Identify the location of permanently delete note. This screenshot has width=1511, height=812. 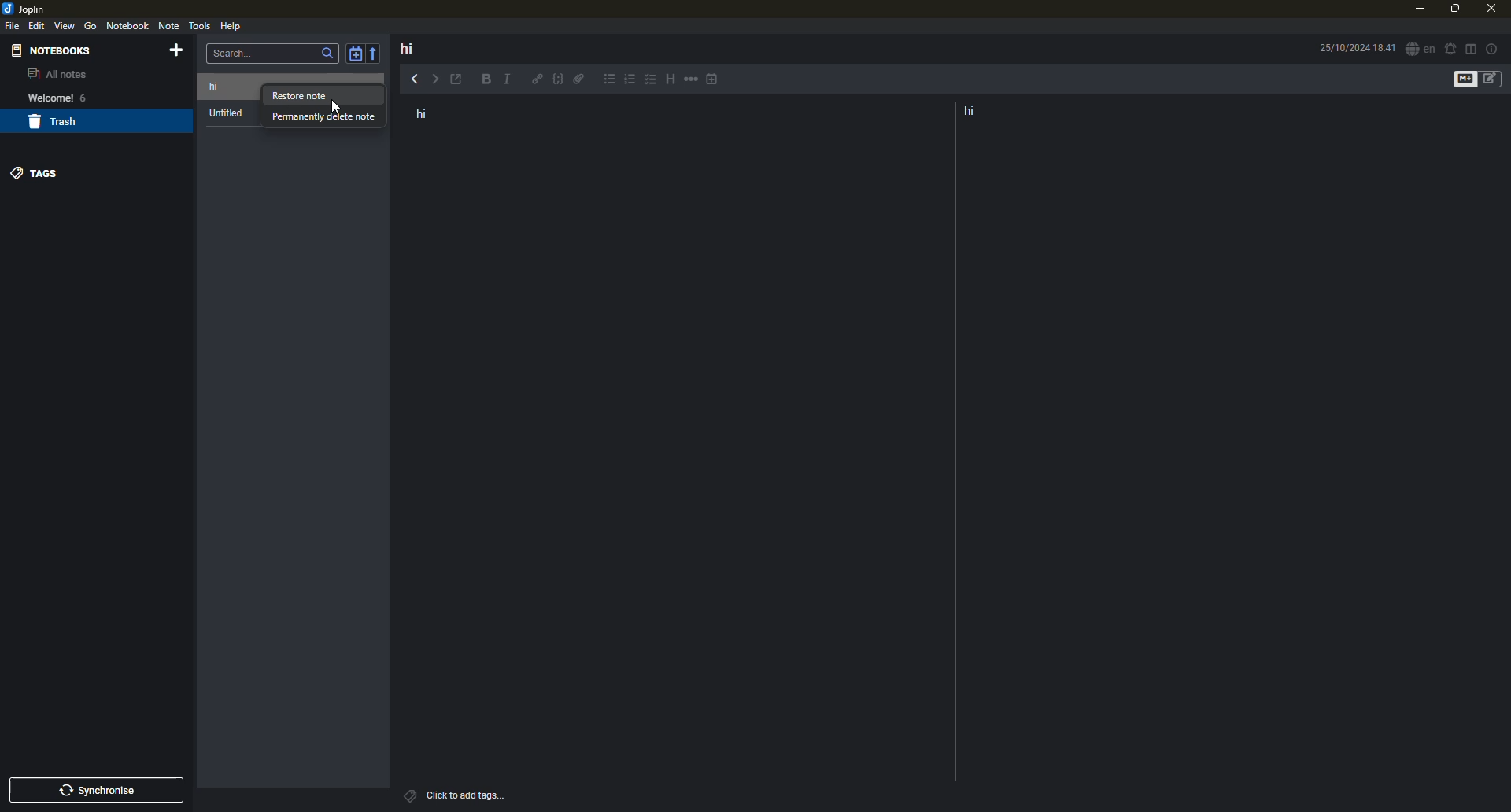
(324, 117).